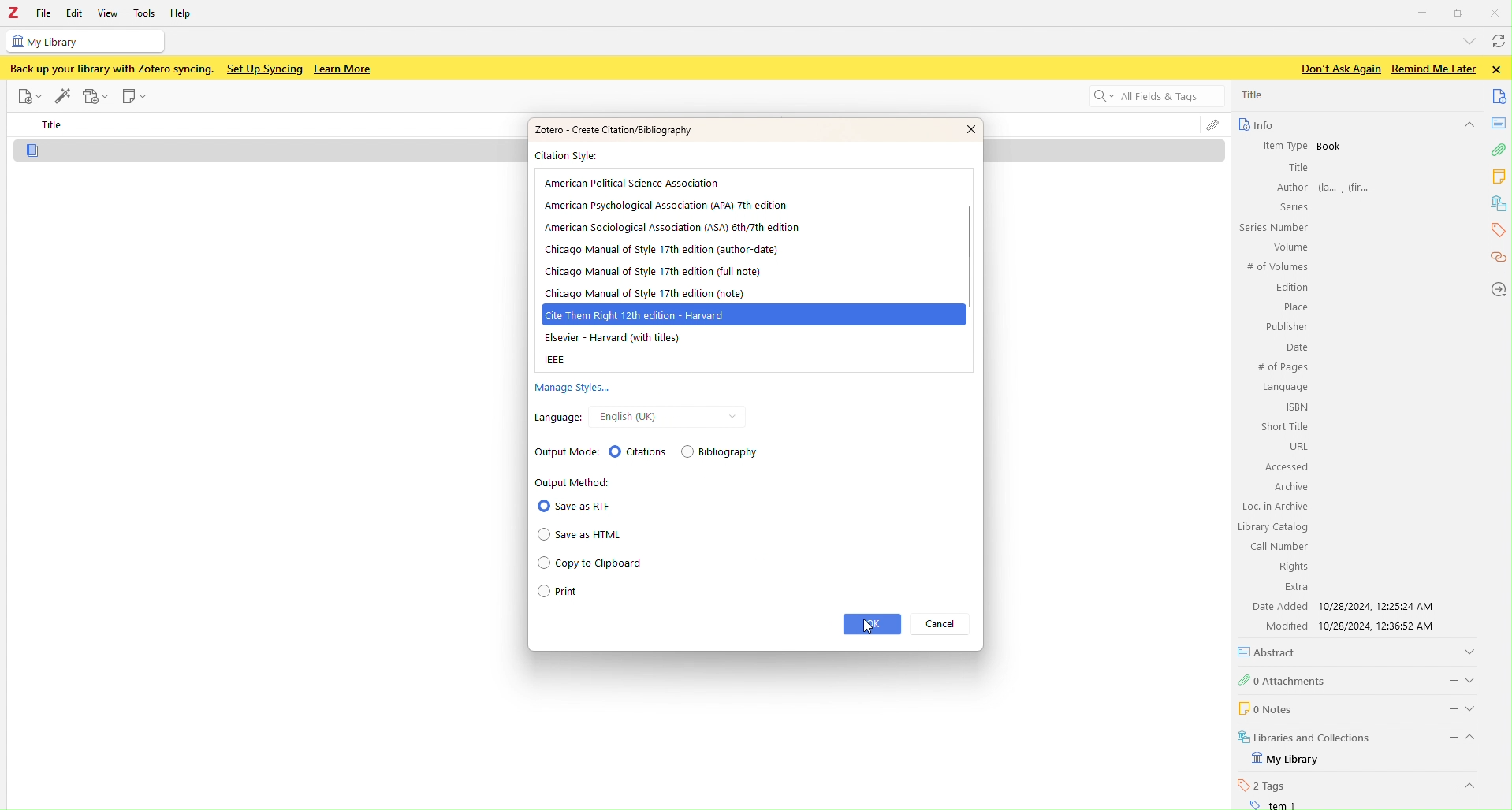  I want to click on ‘American Psychological Association (APA) 7th edition, so click(665, 204).